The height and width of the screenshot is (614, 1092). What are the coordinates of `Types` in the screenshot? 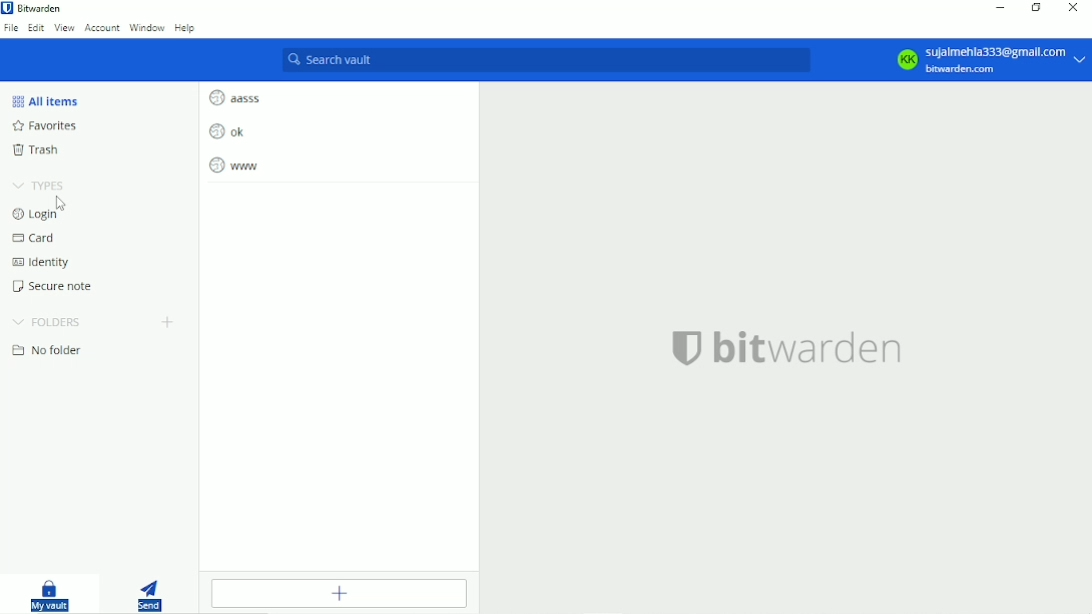 It's located at (40, 184).